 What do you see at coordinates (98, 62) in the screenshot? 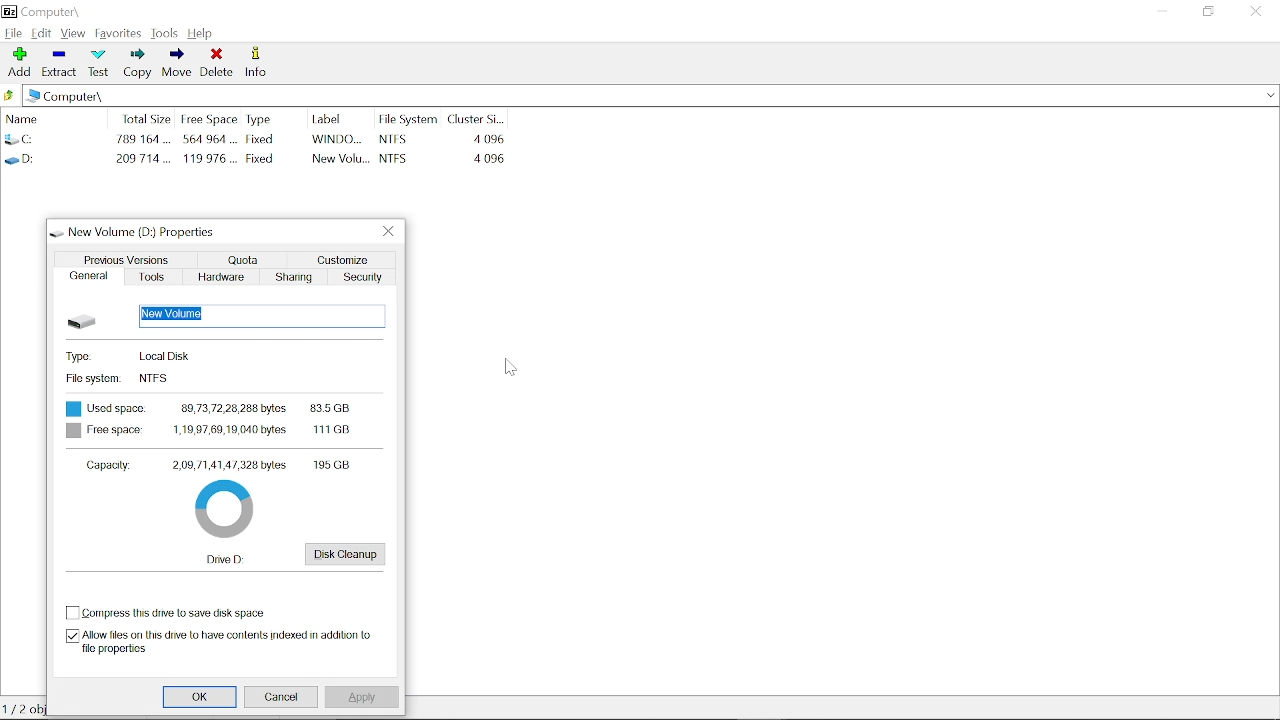
I see `test` at bounding box center [98, 62].